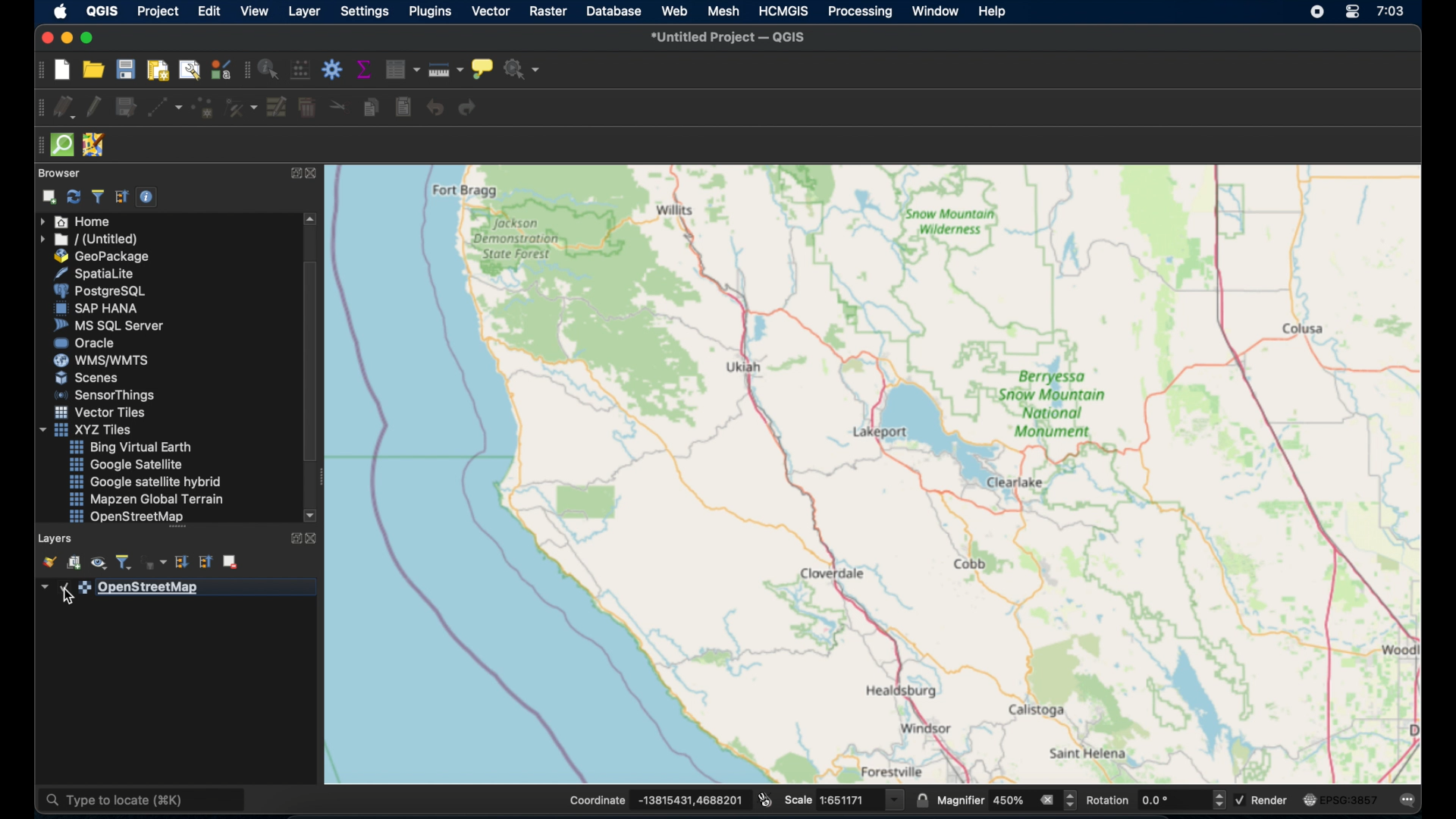 The width and height of the screenshot is (1456, 819). I want to click on redo, so click(469, 108).